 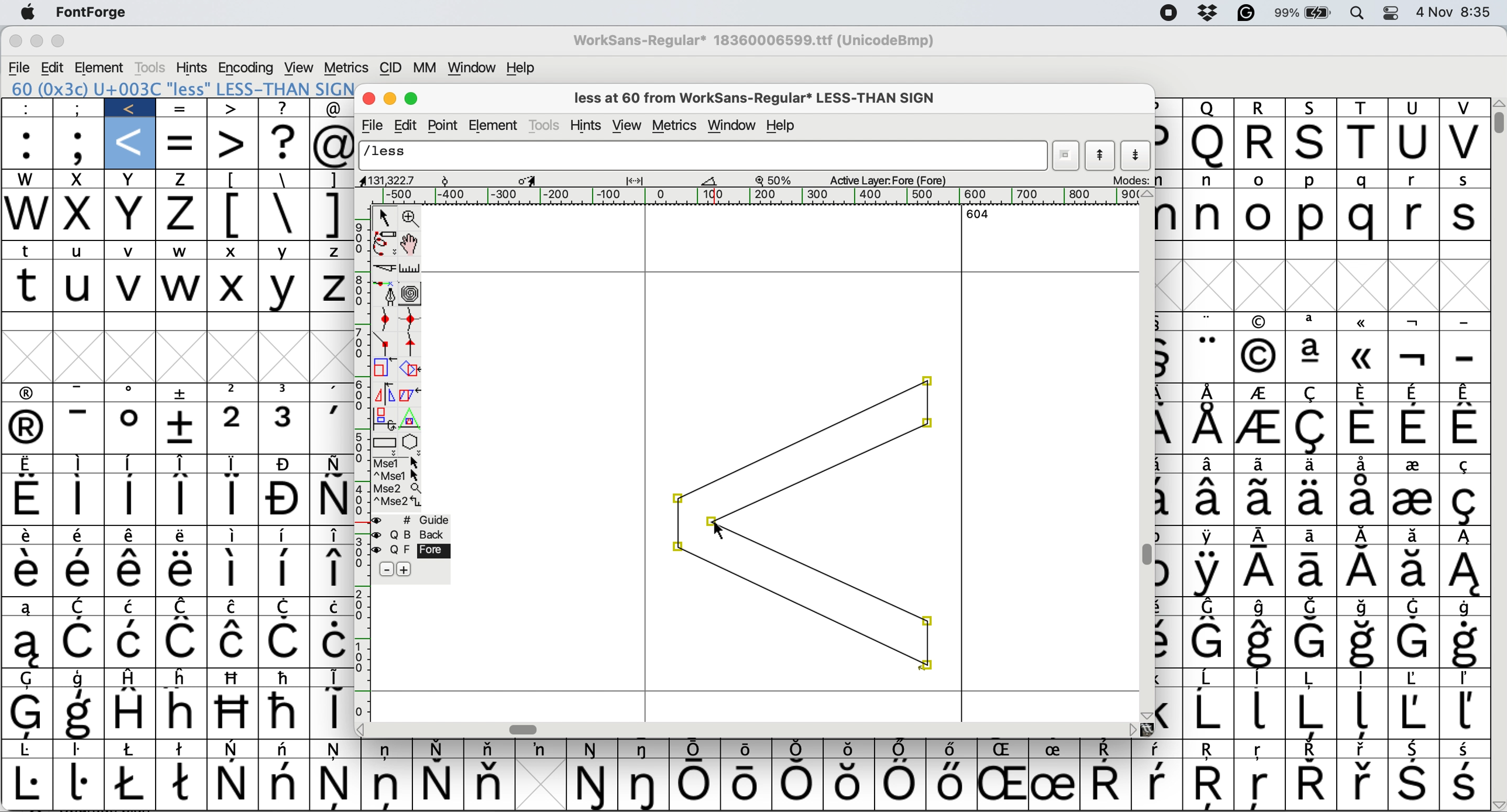 I want to click on perform a perspective tranformation on selection, so click(x=414, y=417).